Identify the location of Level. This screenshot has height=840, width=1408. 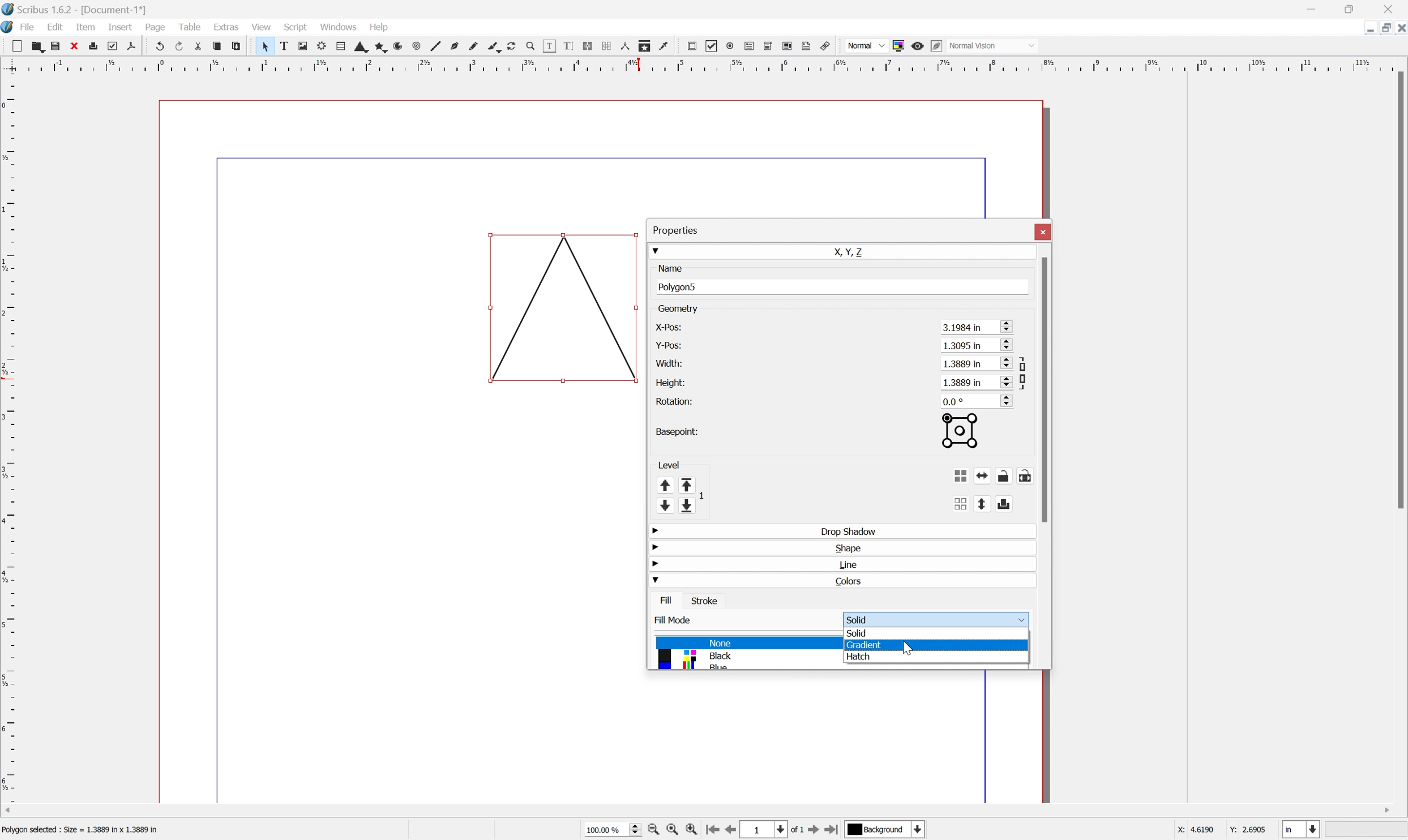
(668, 462).